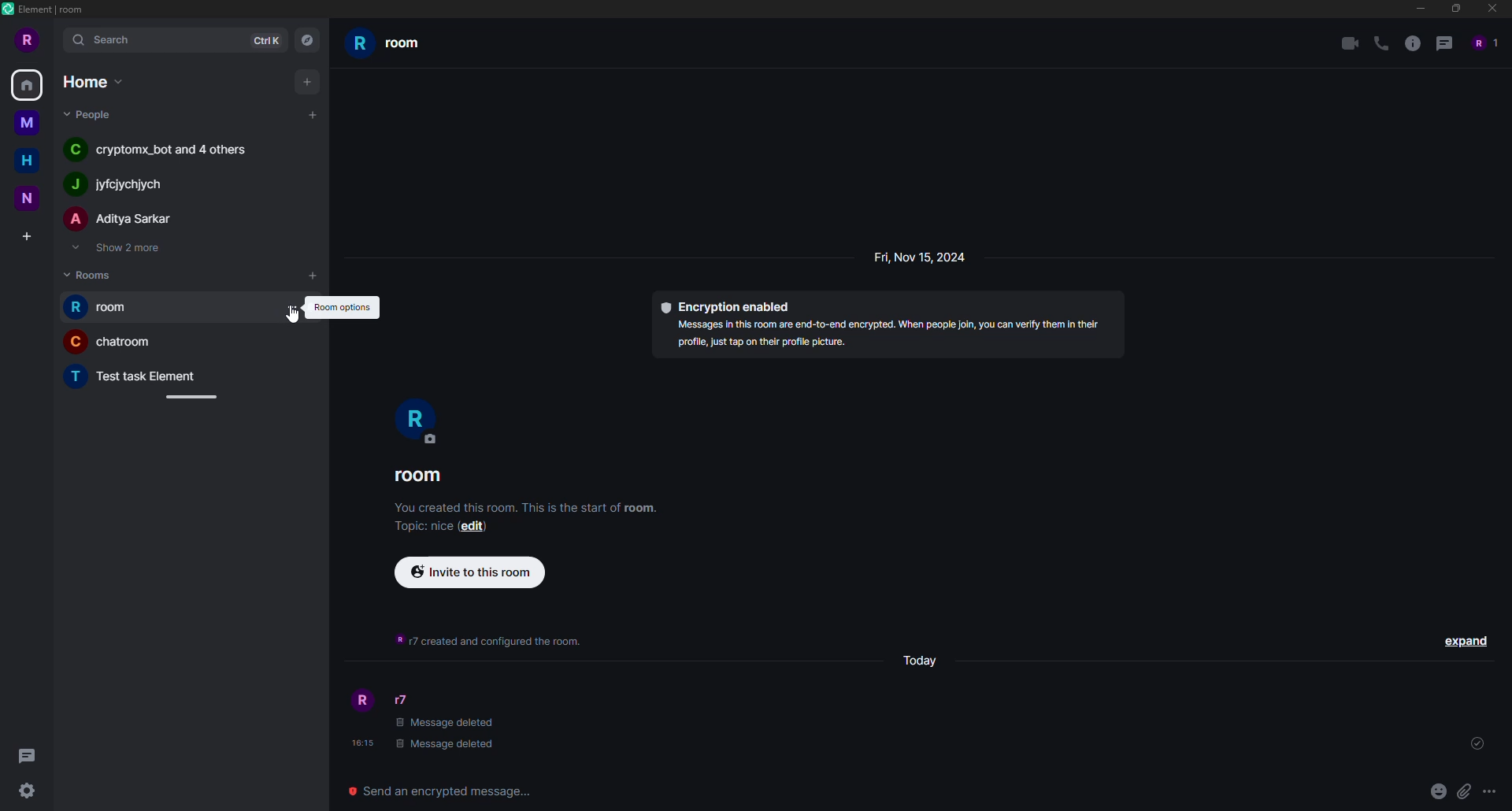  I want to click on n, so click(28, 196).